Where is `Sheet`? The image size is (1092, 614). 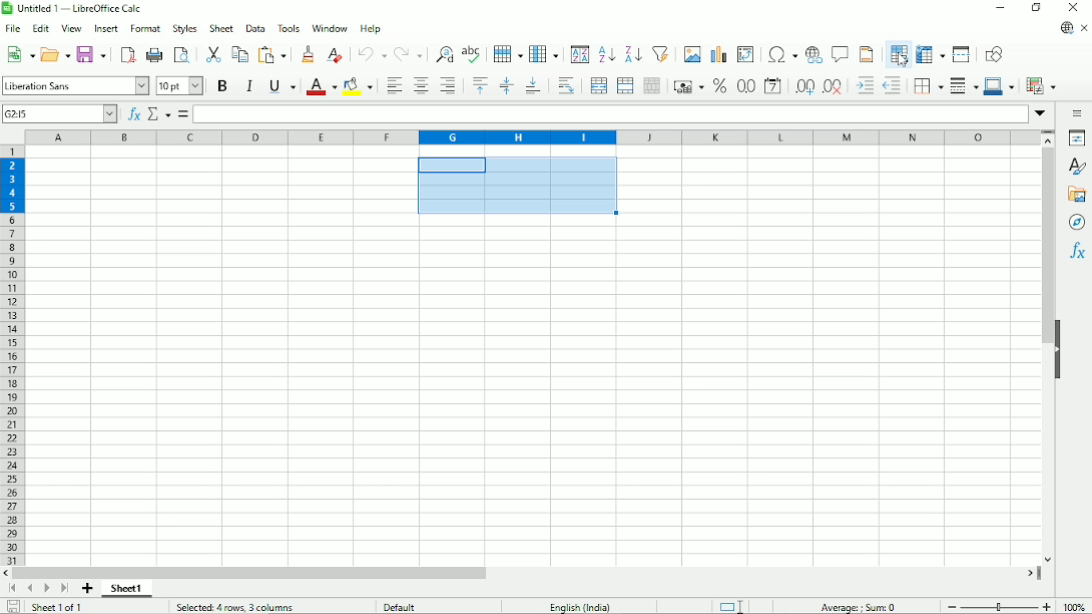
Sheet is located at coordinates (223, 27).